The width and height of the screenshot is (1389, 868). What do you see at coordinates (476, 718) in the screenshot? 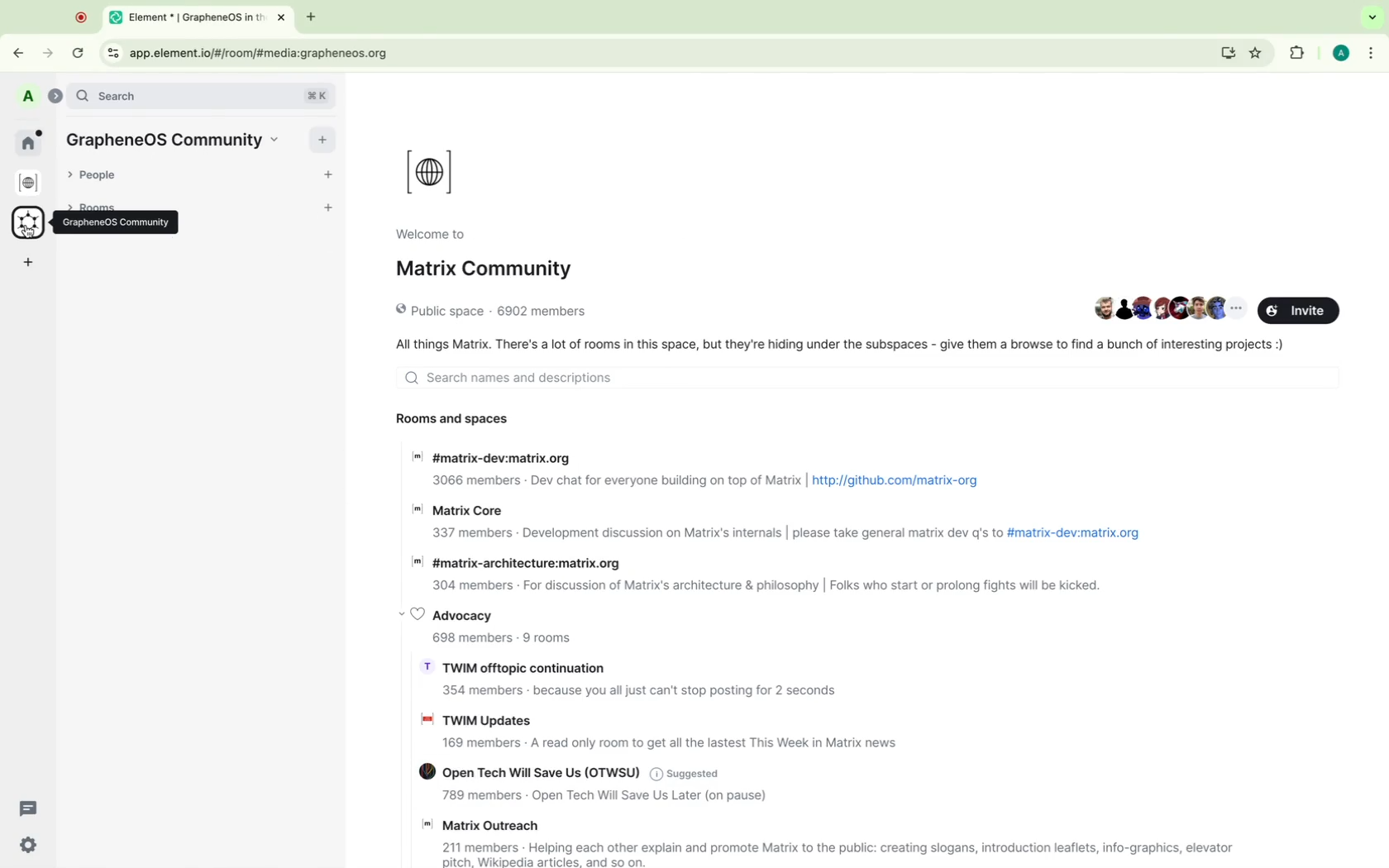
I see `TWIM updates` at bounding box center [476, 718].